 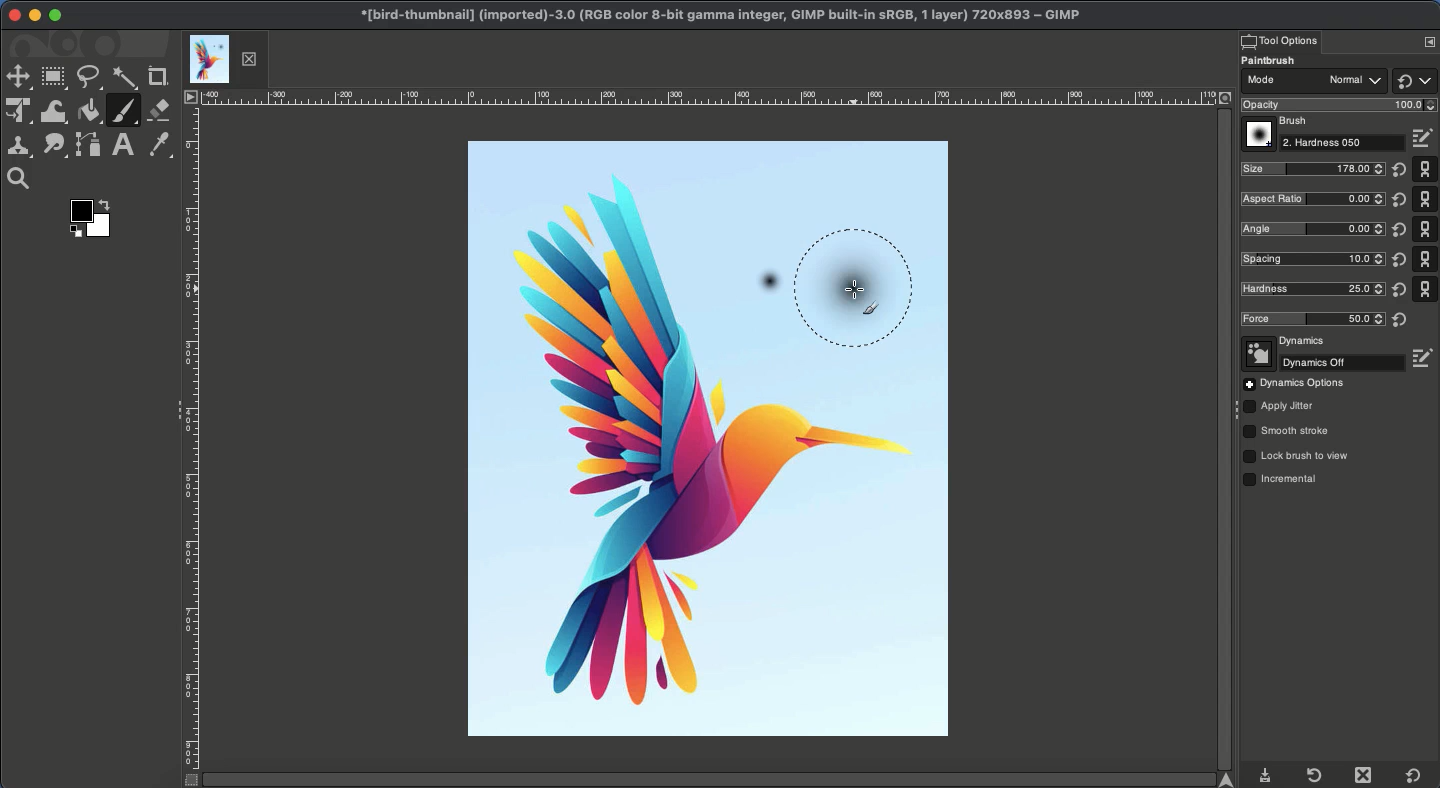 What do you see at coordinates (1279, 40) in the screenshot?
I see `Tool options` at bounding box center [1279, 40].